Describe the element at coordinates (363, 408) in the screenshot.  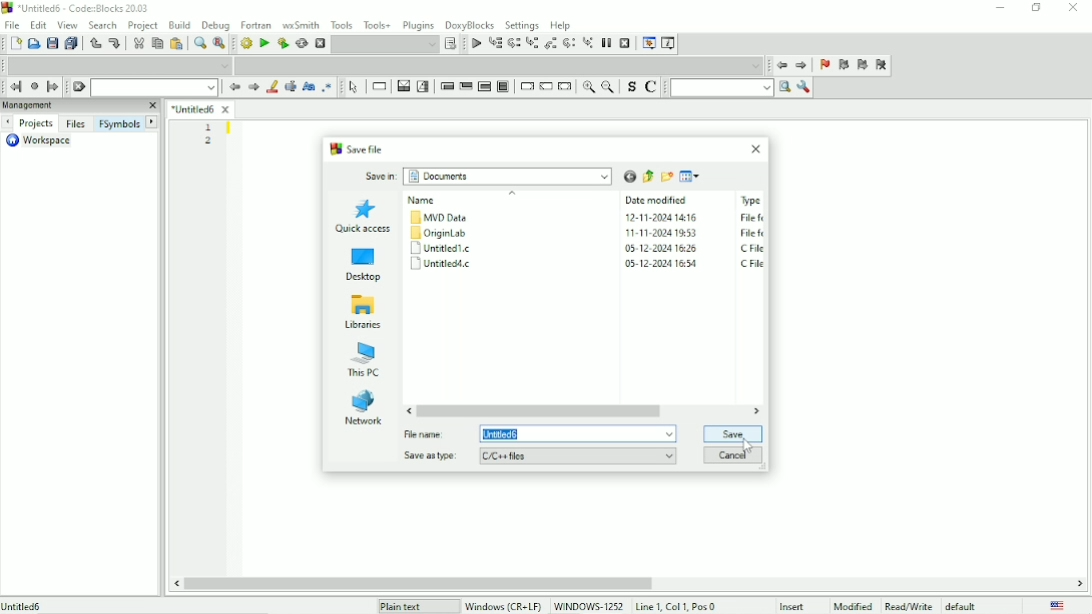
I see `Network` at that location.